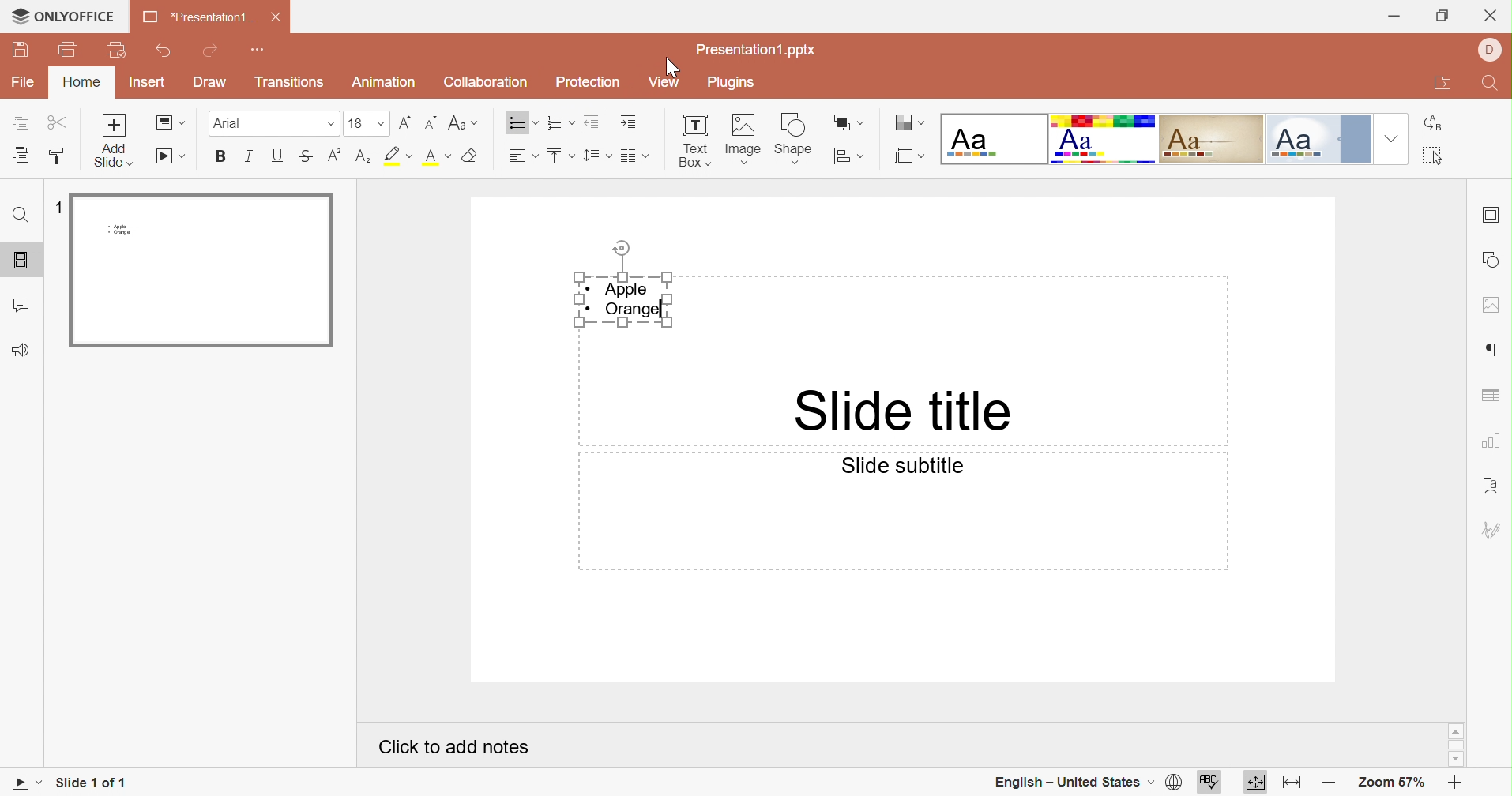 The height and width of the screenshot is (796, 1512). I want to click on Select slide size, so click(912, 157).